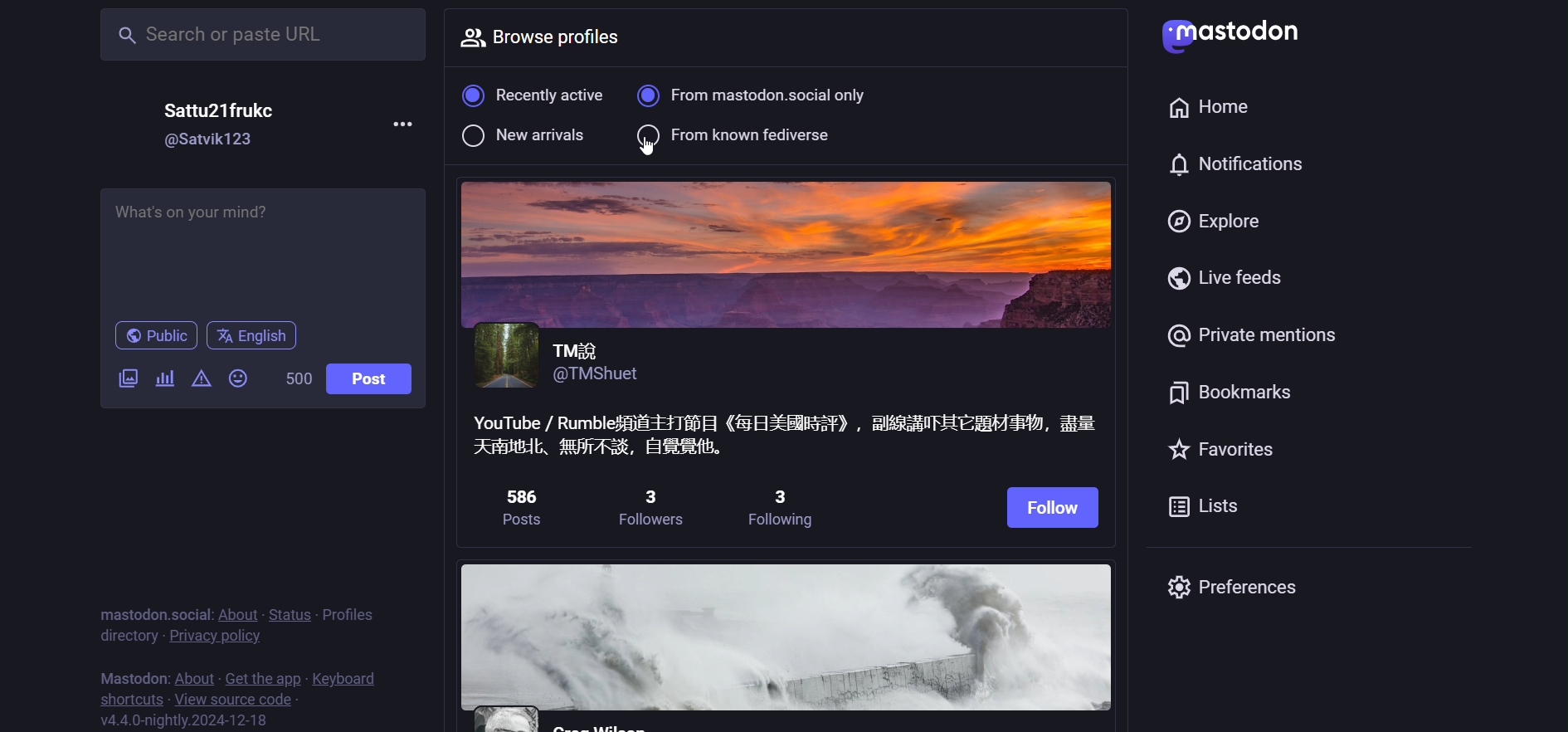 This screenshot has width=1568, height=732. What do you see at coordinates (288, 611) in the screenshot?
I see `status` at bounding box center [288, 611].